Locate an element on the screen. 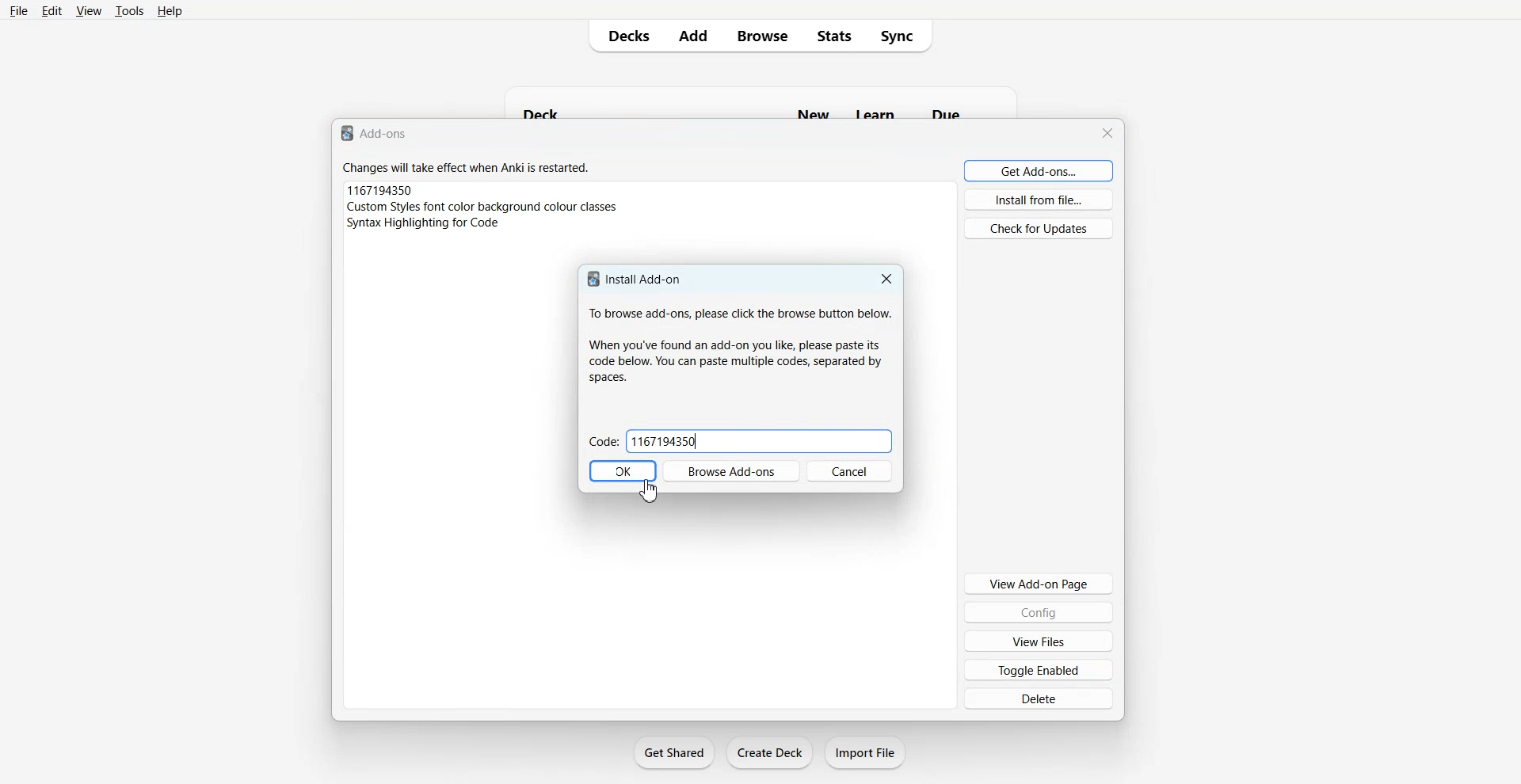  1167194350 is located at coordinates (381, 189).